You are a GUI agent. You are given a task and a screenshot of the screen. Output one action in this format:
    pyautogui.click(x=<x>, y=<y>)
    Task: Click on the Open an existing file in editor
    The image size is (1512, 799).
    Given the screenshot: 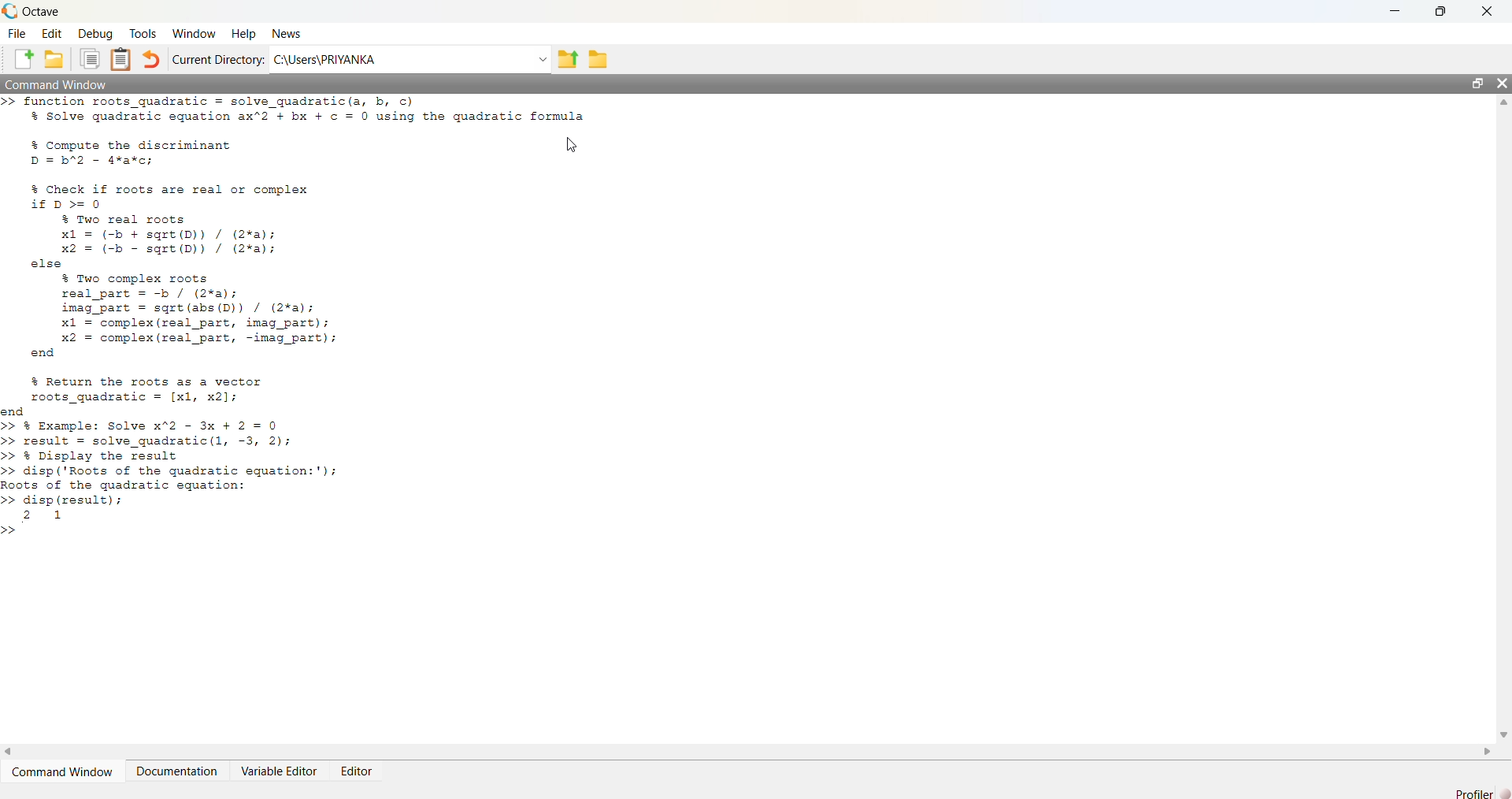 What is the action you would take?
    pyautogui.click(x=53, y=59)
    